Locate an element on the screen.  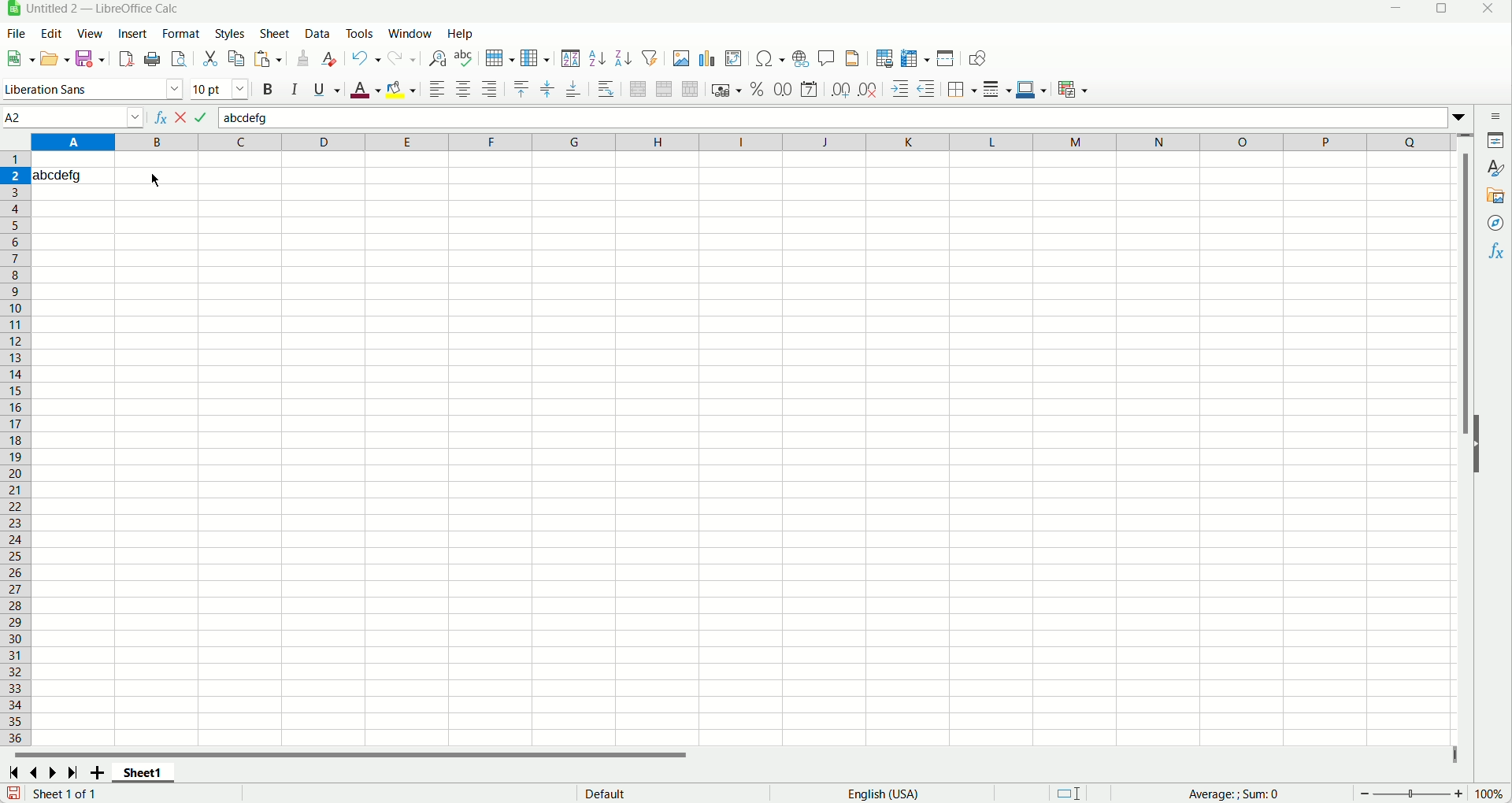
abcdefg is located at coordinates (60, 175).